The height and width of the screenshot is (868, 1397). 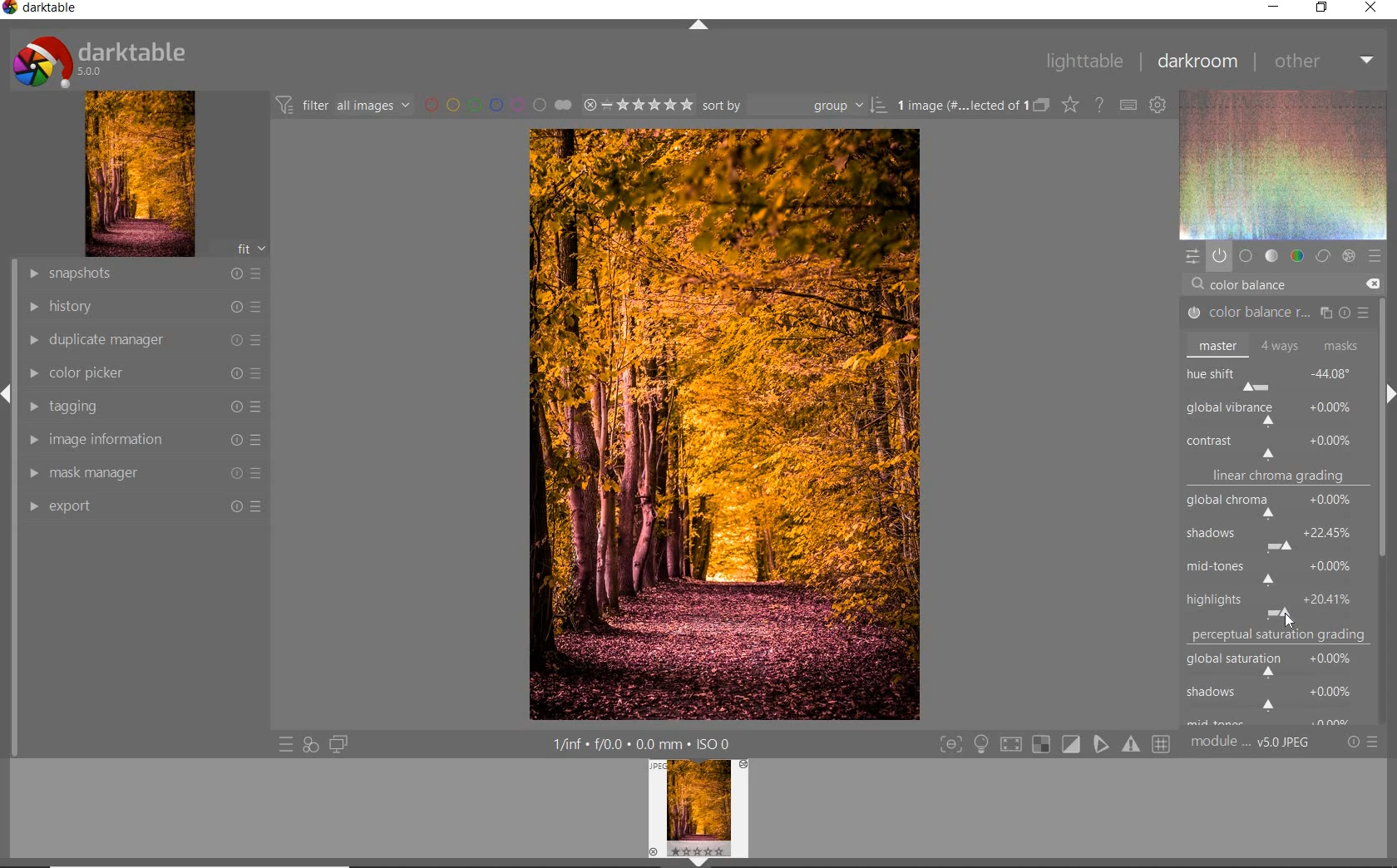 I want to click on shadows, so click(x=1278, y=535).